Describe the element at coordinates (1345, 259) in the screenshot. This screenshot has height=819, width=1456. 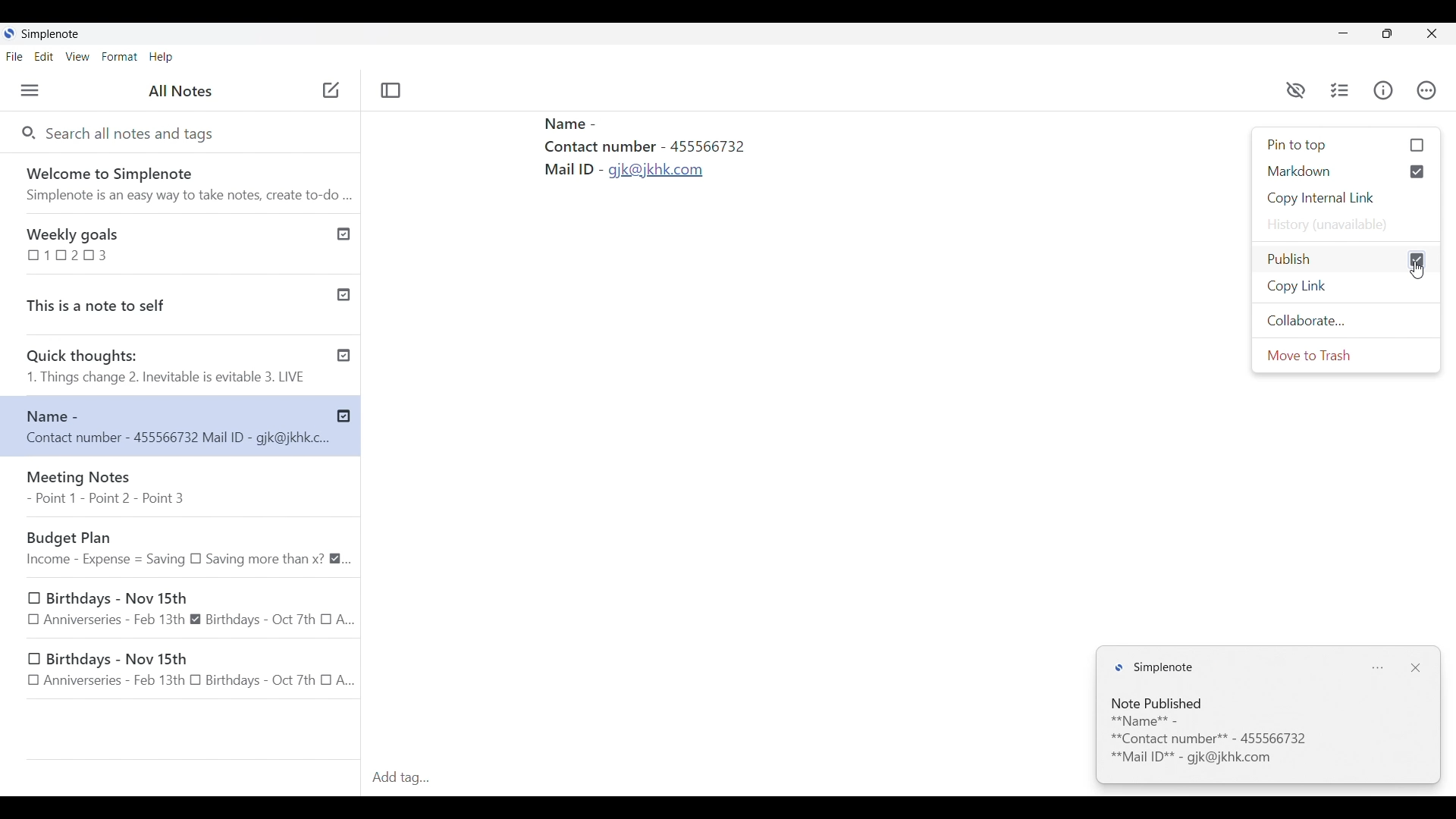
I see `selected publish` at that location.